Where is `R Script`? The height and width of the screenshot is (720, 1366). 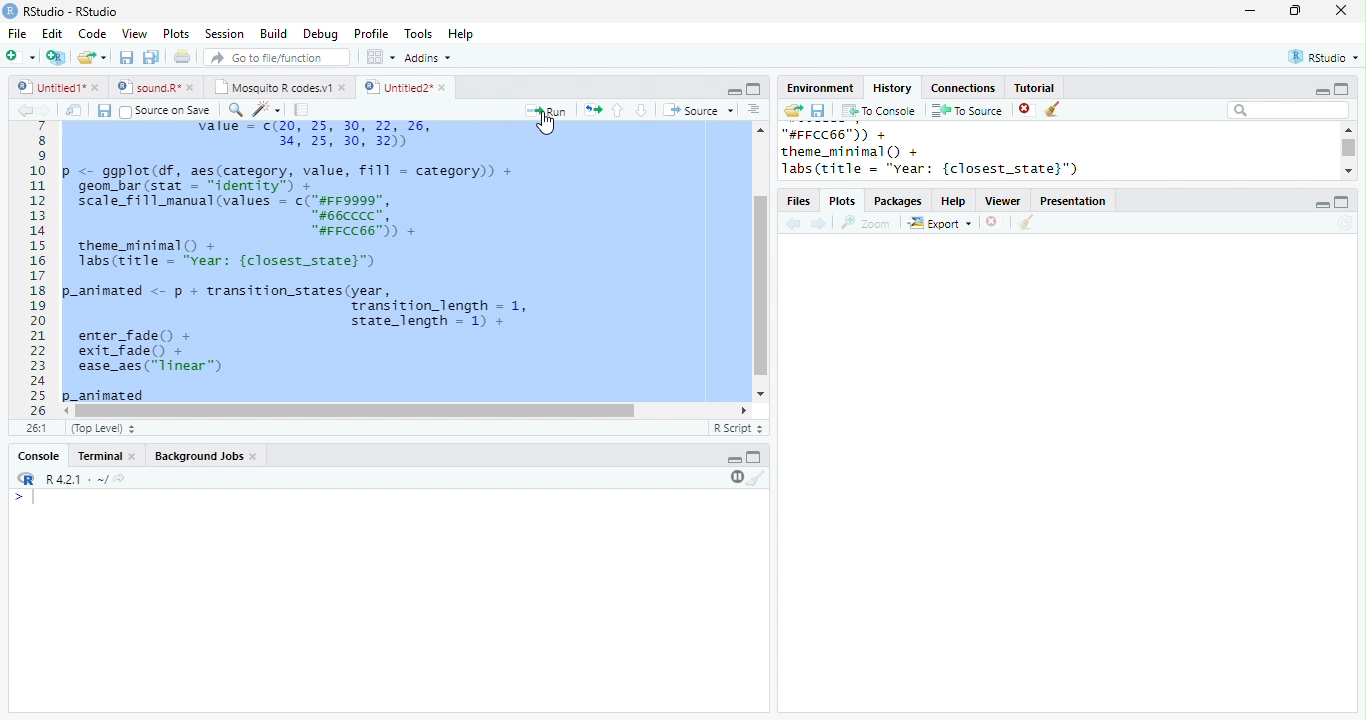
R Script is located at coordinates (737, 427).